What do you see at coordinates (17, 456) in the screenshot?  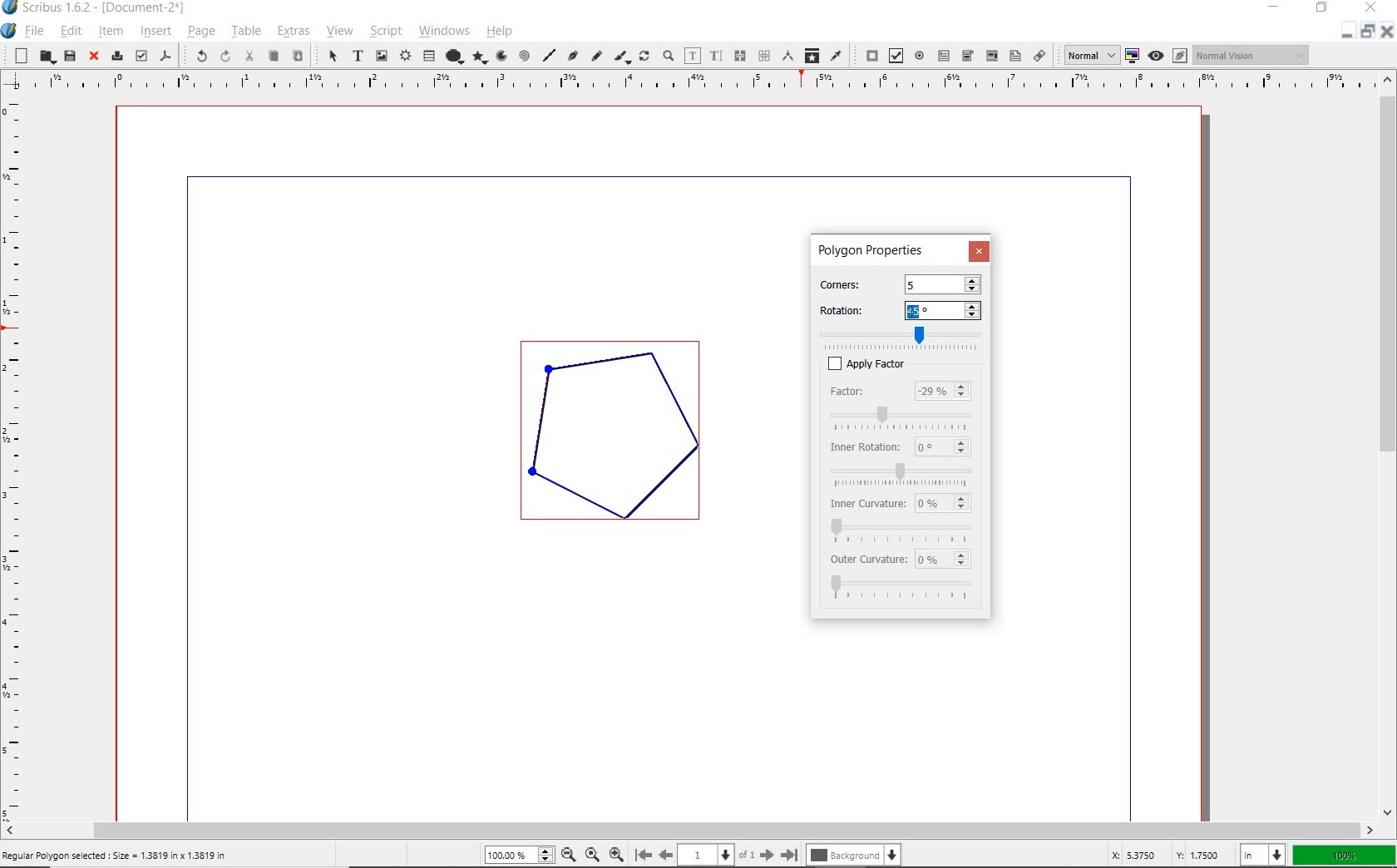 I see `ruler` at bounding box center [17, 456].